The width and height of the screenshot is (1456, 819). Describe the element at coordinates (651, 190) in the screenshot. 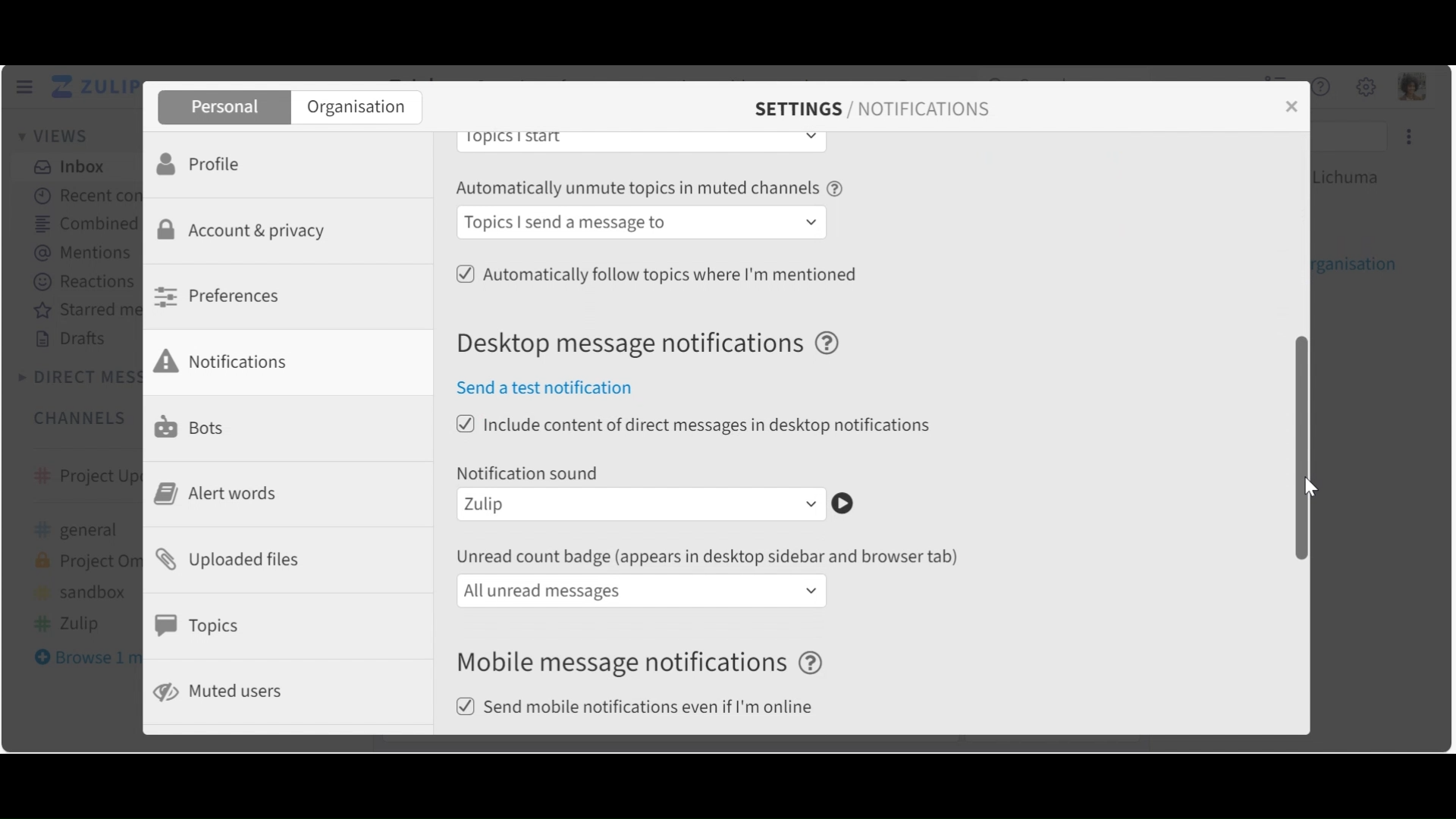

I see `Automatically unmute topics in muted channels ` at that location.